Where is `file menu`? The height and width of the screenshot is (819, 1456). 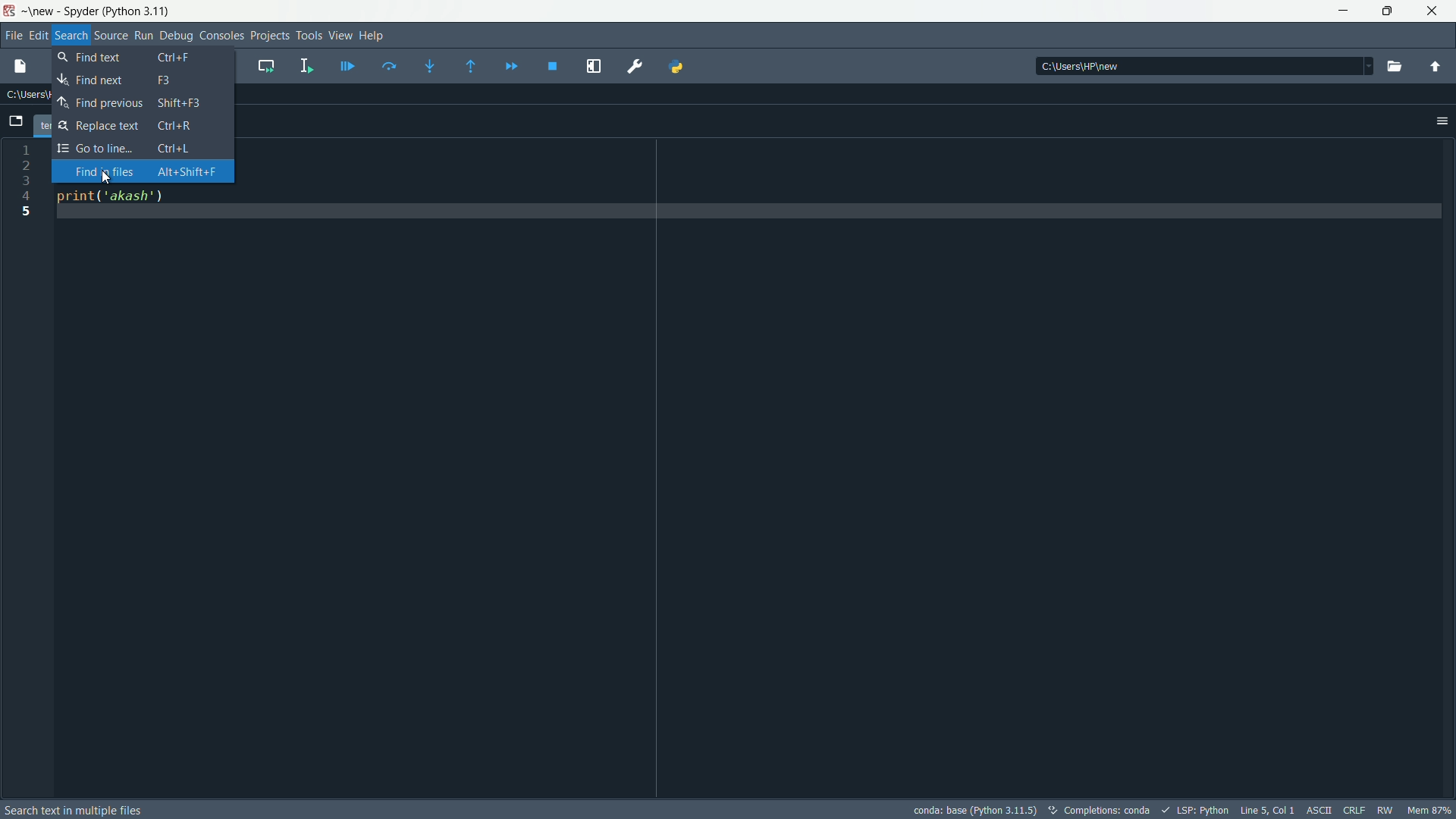
file menu is located at coordinates (12, 35).